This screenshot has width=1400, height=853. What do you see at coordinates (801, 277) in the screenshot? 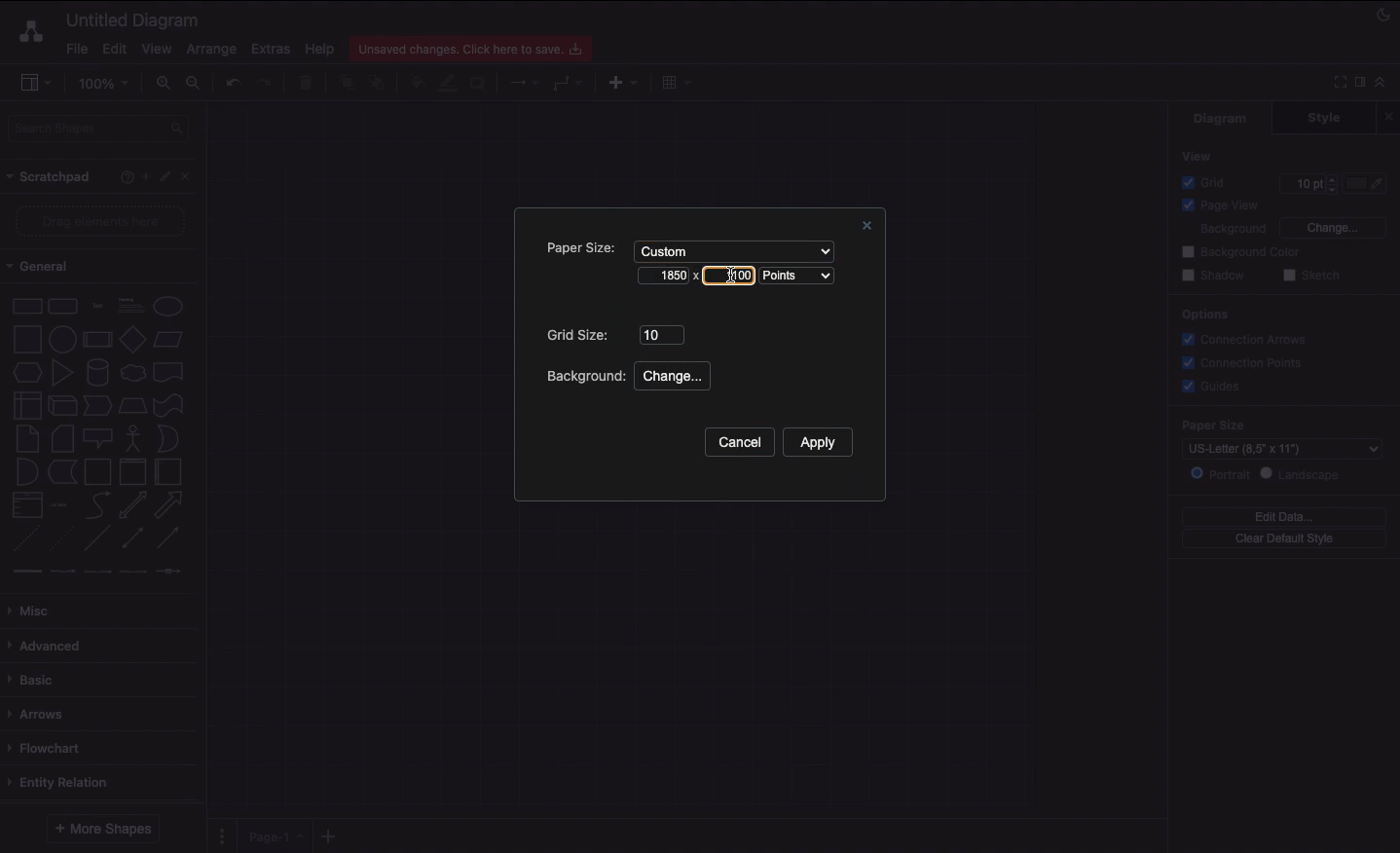
I see `Points ` at bounding box center [801, 277].